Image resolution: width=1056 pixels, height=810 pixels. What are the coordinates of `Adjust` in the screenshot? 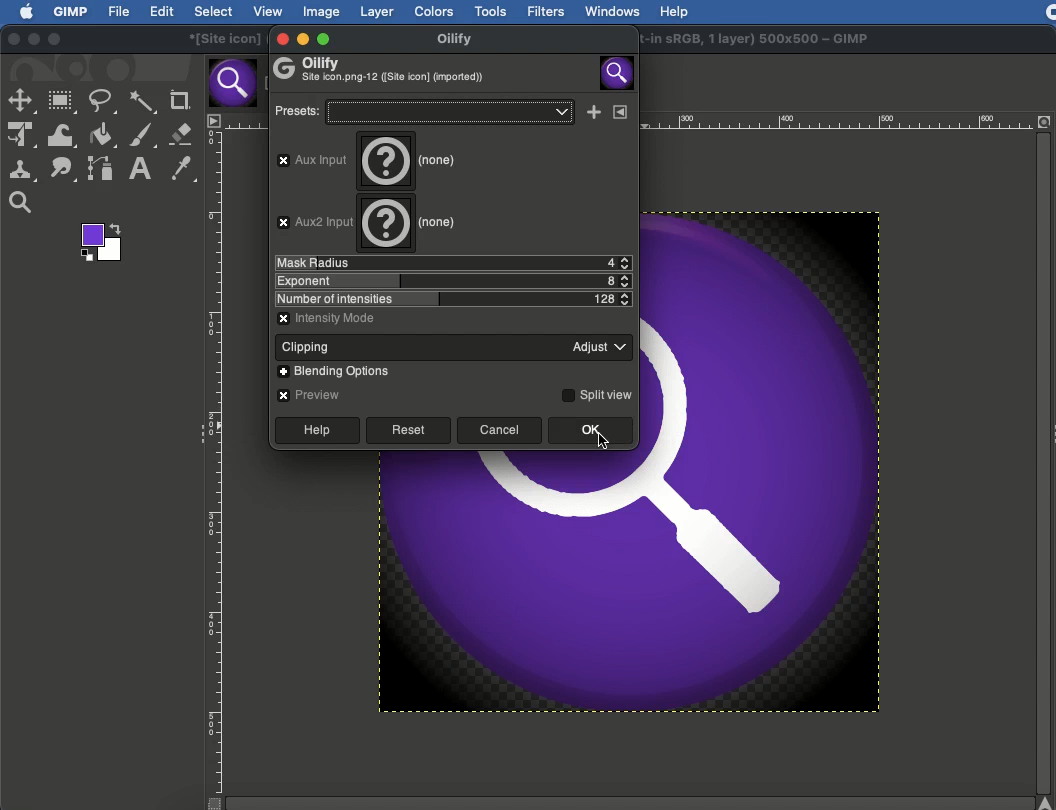 It's located at (598, 348).